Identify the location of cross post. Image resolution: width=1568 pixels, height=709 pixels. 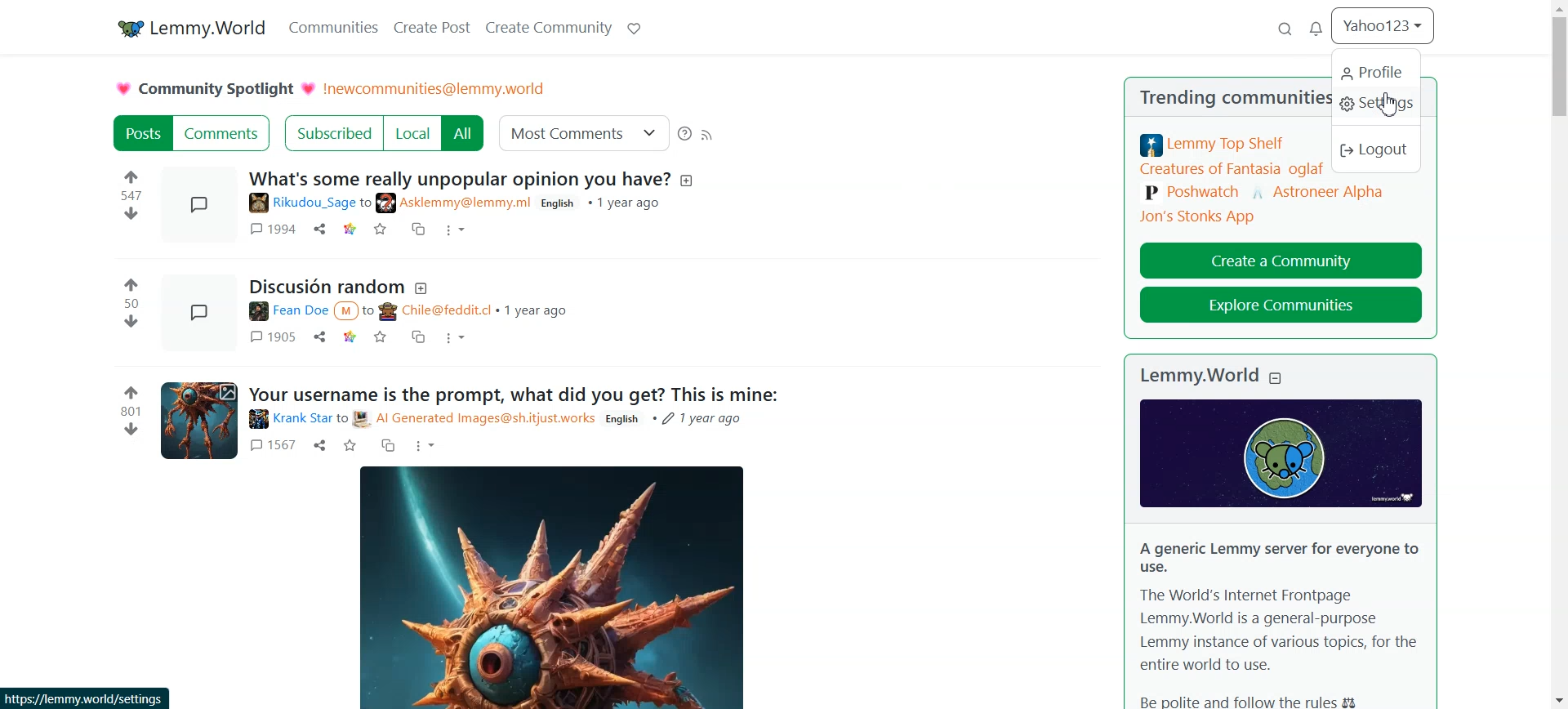
(387, 444).